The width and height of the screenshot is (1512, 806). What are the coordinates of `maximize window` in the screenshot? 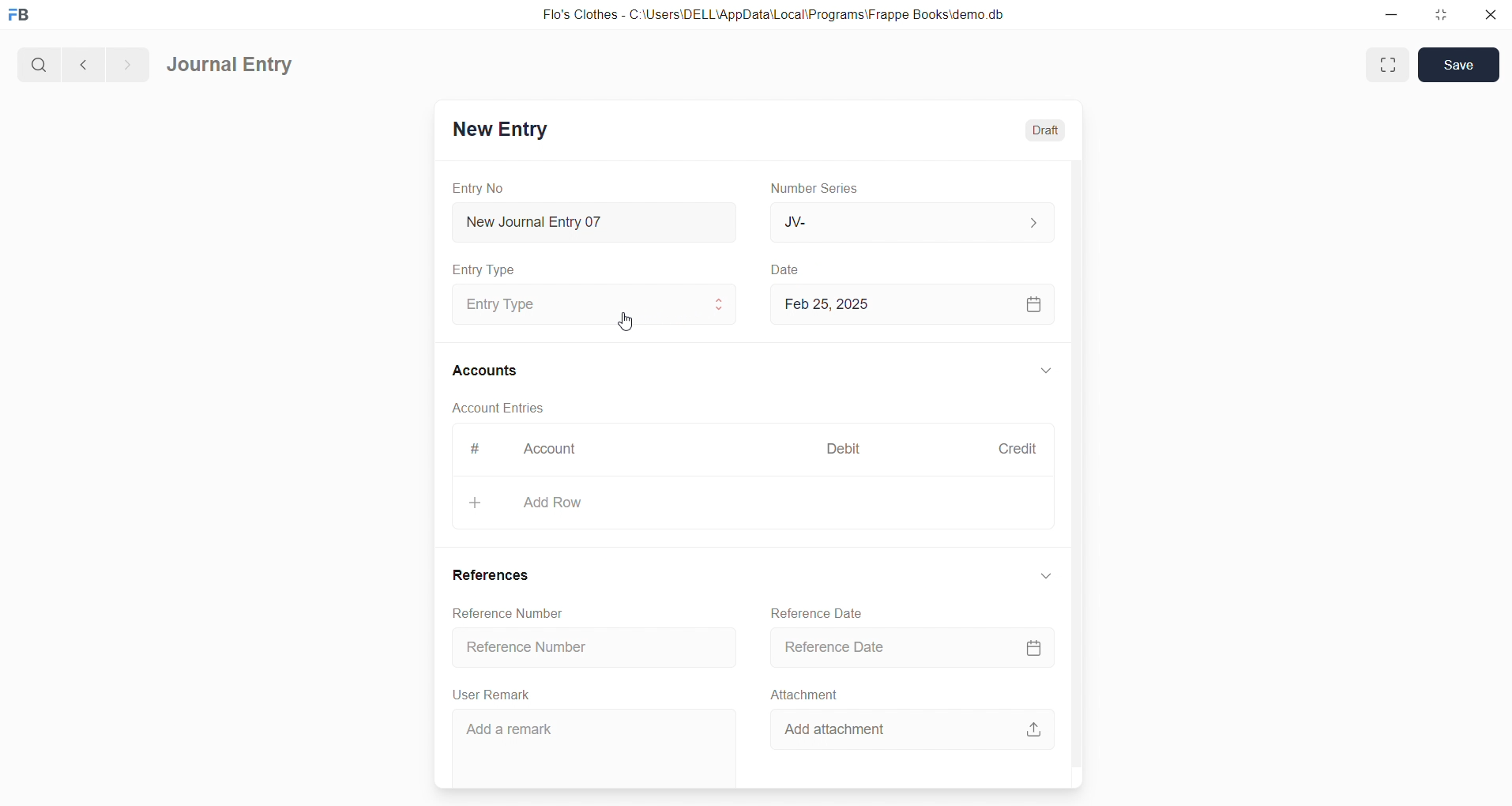 It's located at (1390, 65).